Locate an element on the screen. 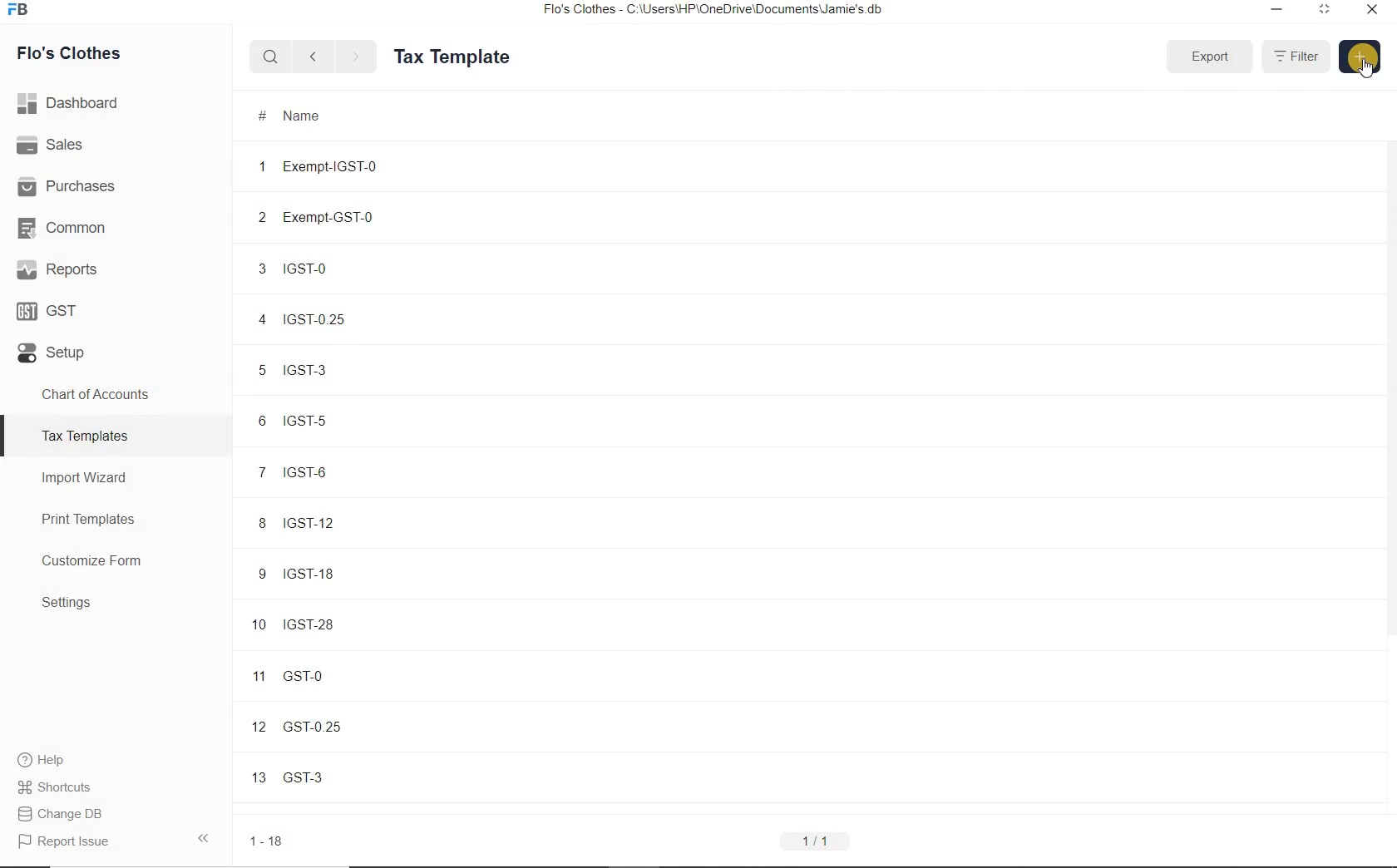  Add is located at coordinates (1360, 57).